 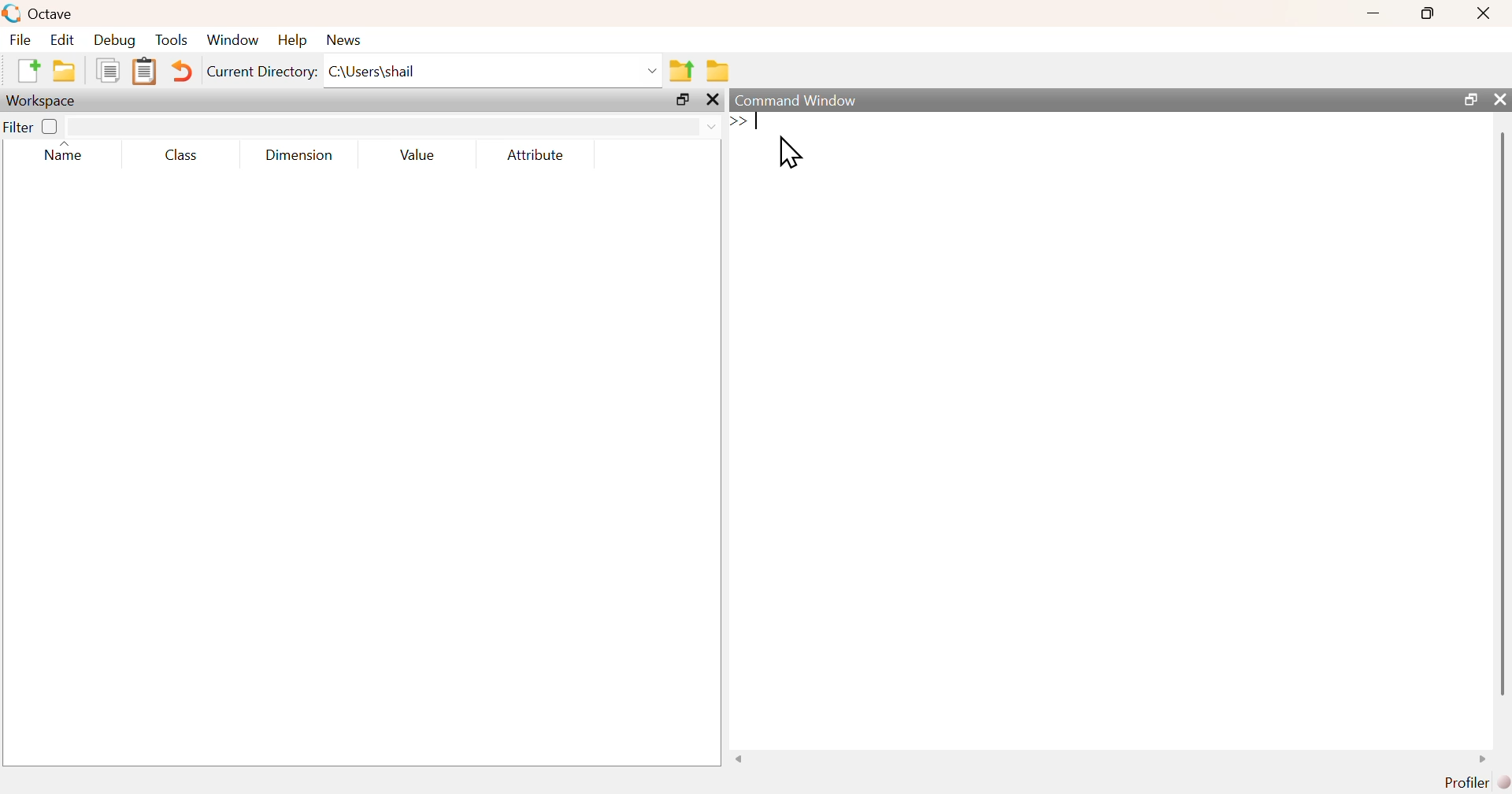 I want to click on maximize, so click(x=1469, y=98).